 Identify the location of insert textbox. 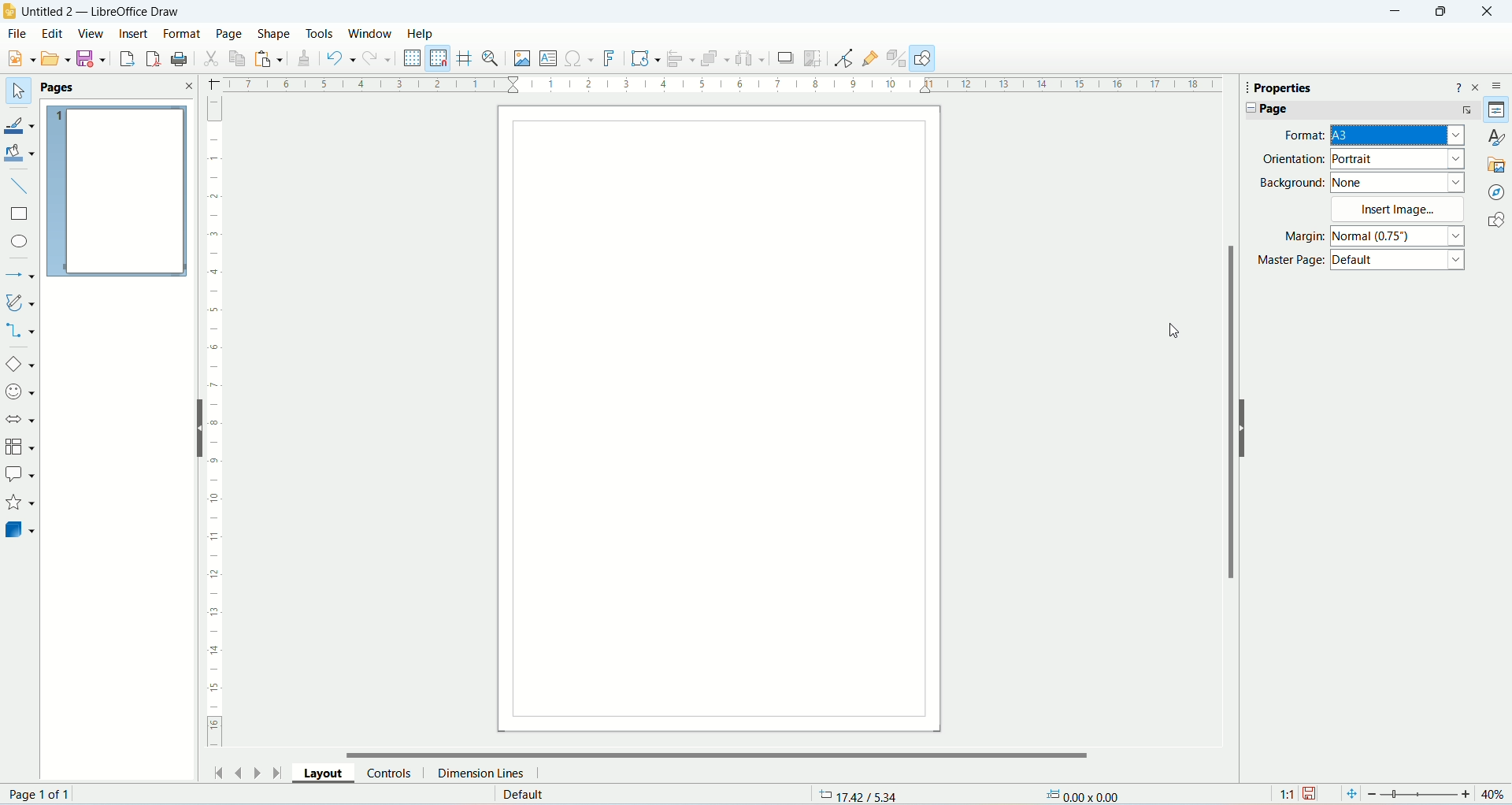
(546, 59).